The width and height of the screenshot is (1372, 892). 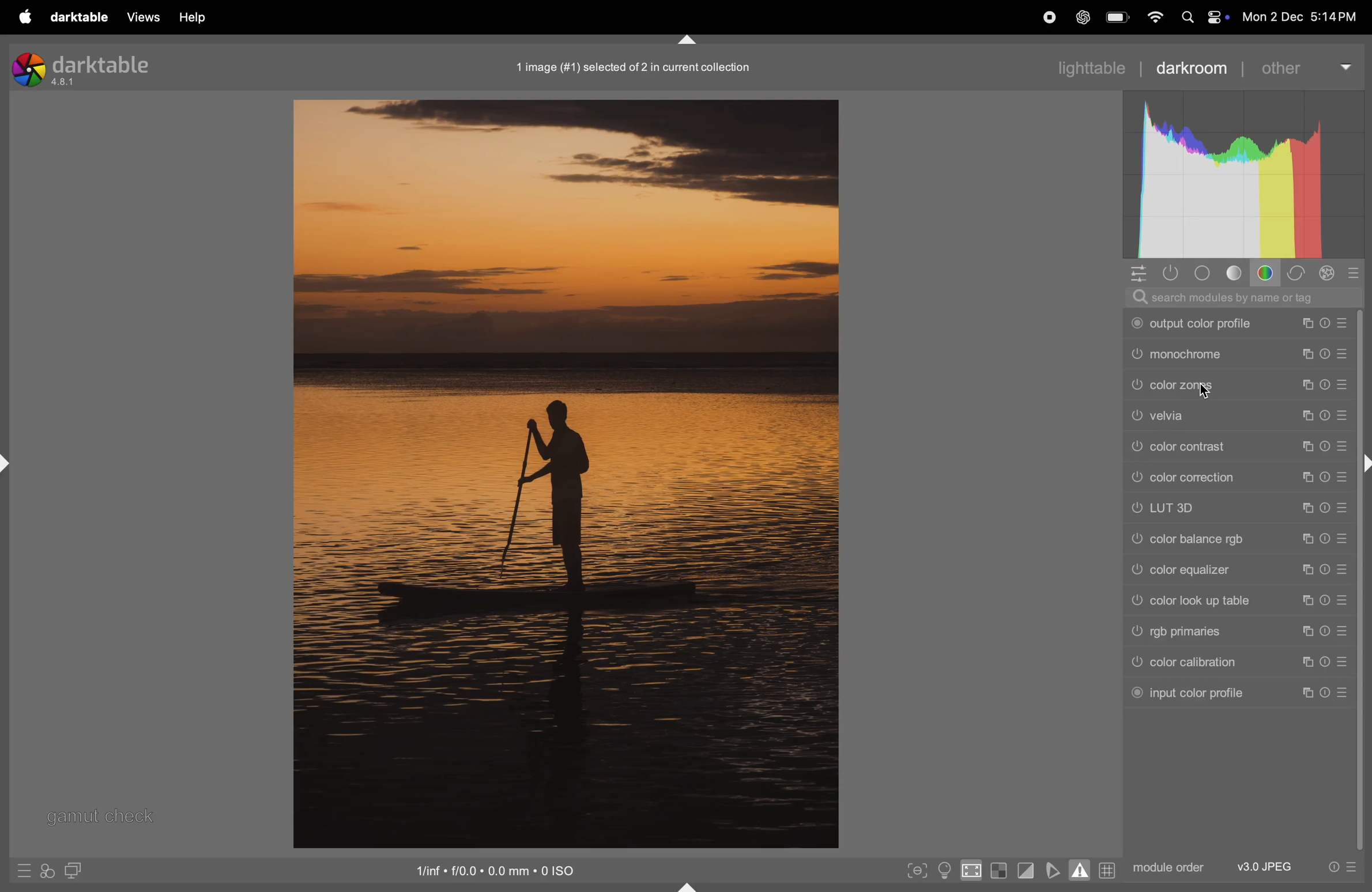 What do you see at coordinates (1324, 662) in the screenshot?
I see `Timer` at bounding box center [1324, 662].